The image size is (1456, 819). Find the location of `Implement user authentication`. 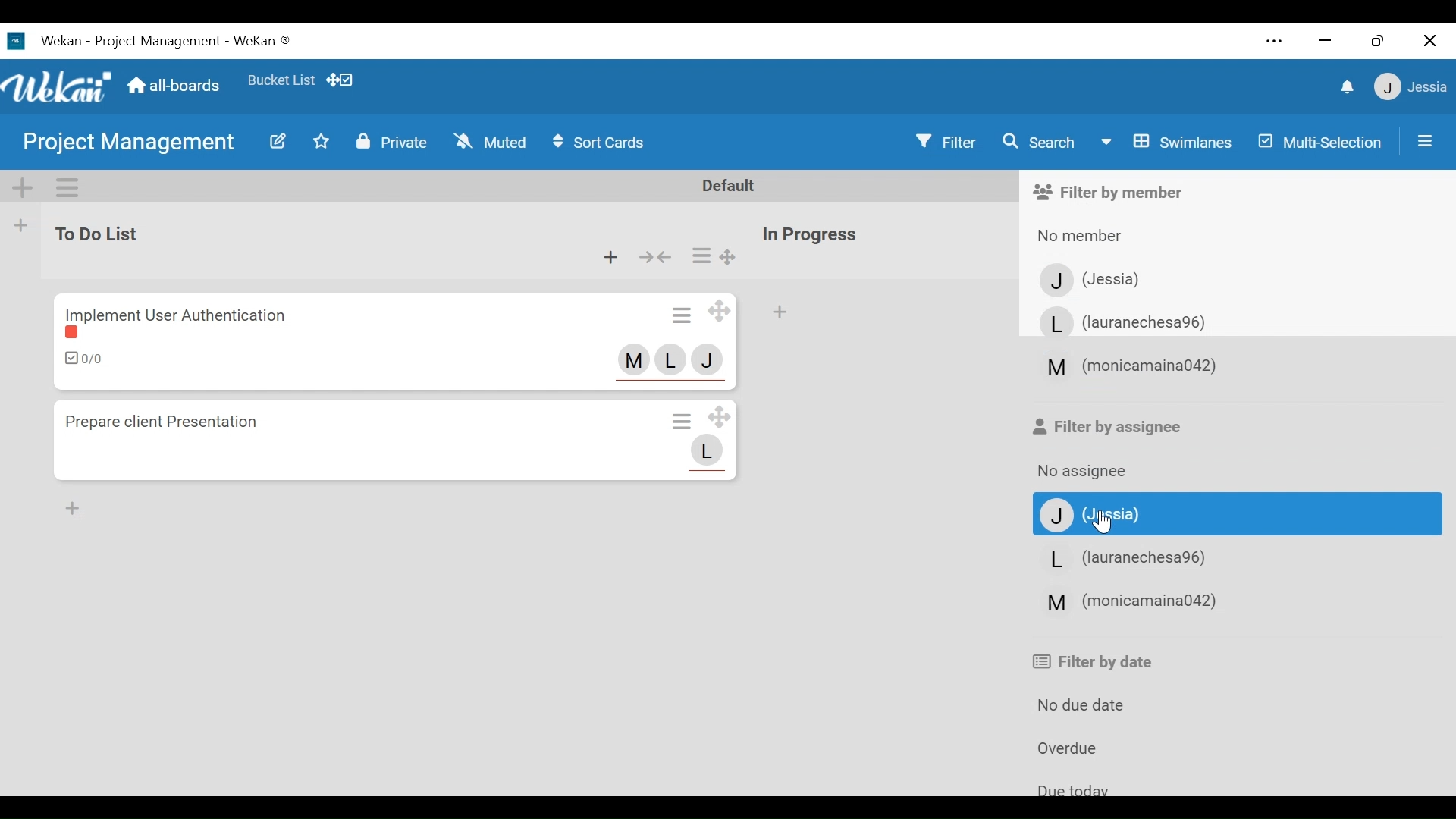

Implement user authentication is located at coordinates (176, 309).